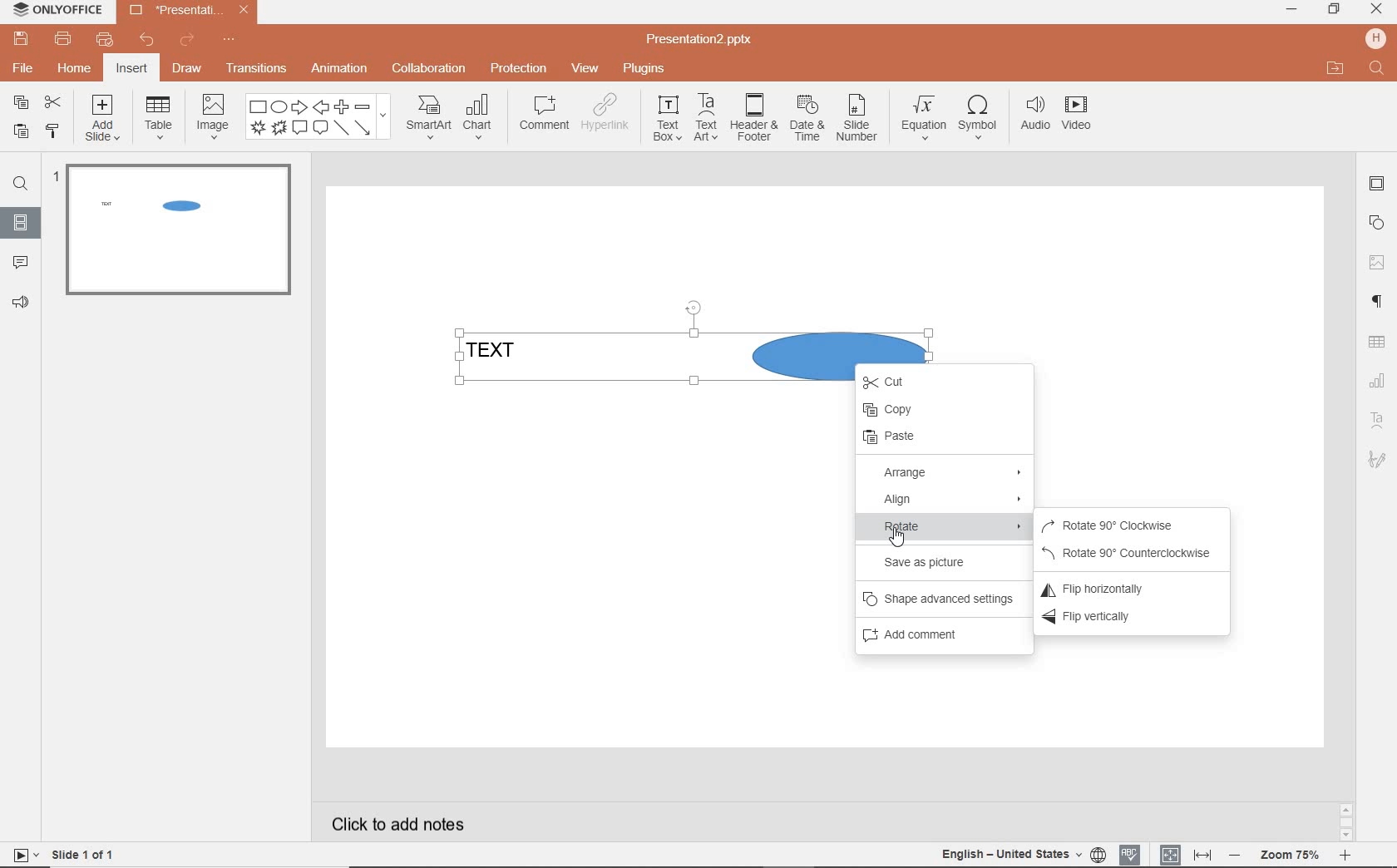  Describe the element at coordinates (1378, 220) in the screenshot. I see `SHAPE SETTINGS` at that location.